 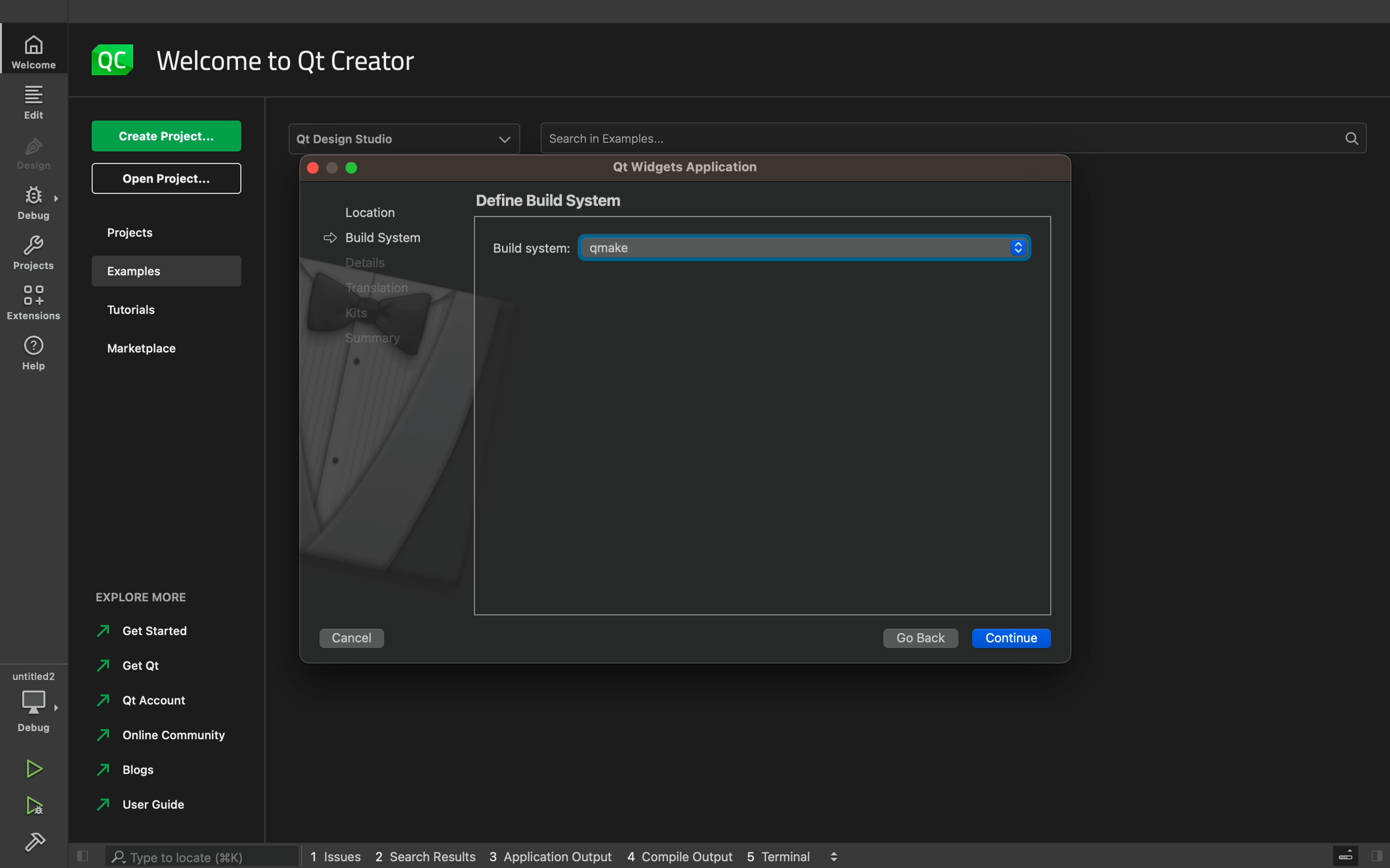 I want to click on increase/decrease arrows, so click(x=840, y=855).